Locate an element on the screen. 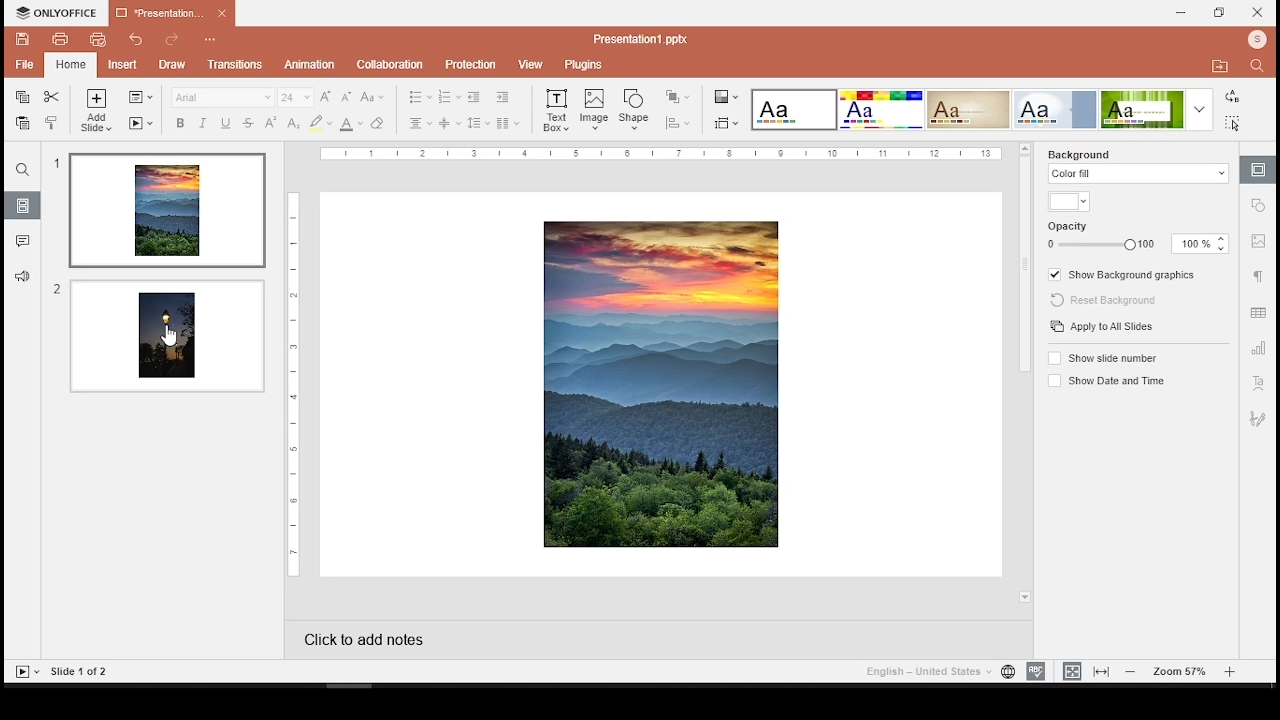 The width and height of the screenshot is (1280, 720). font is located at coordinates (222, 98).